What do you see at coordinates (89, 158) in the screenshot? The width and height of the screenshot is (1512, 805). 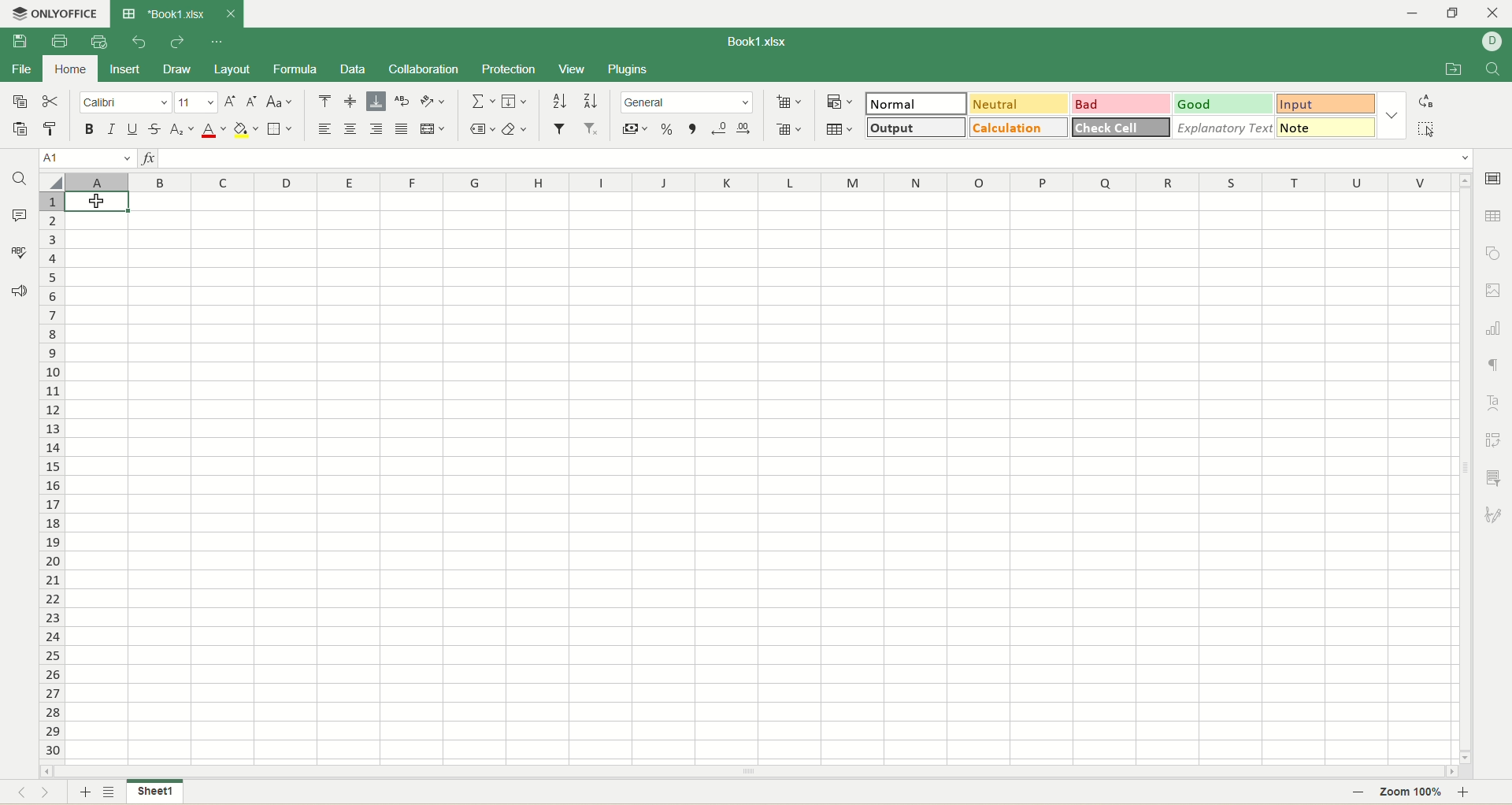 I see `cell position` at bounding box center [89, 158].